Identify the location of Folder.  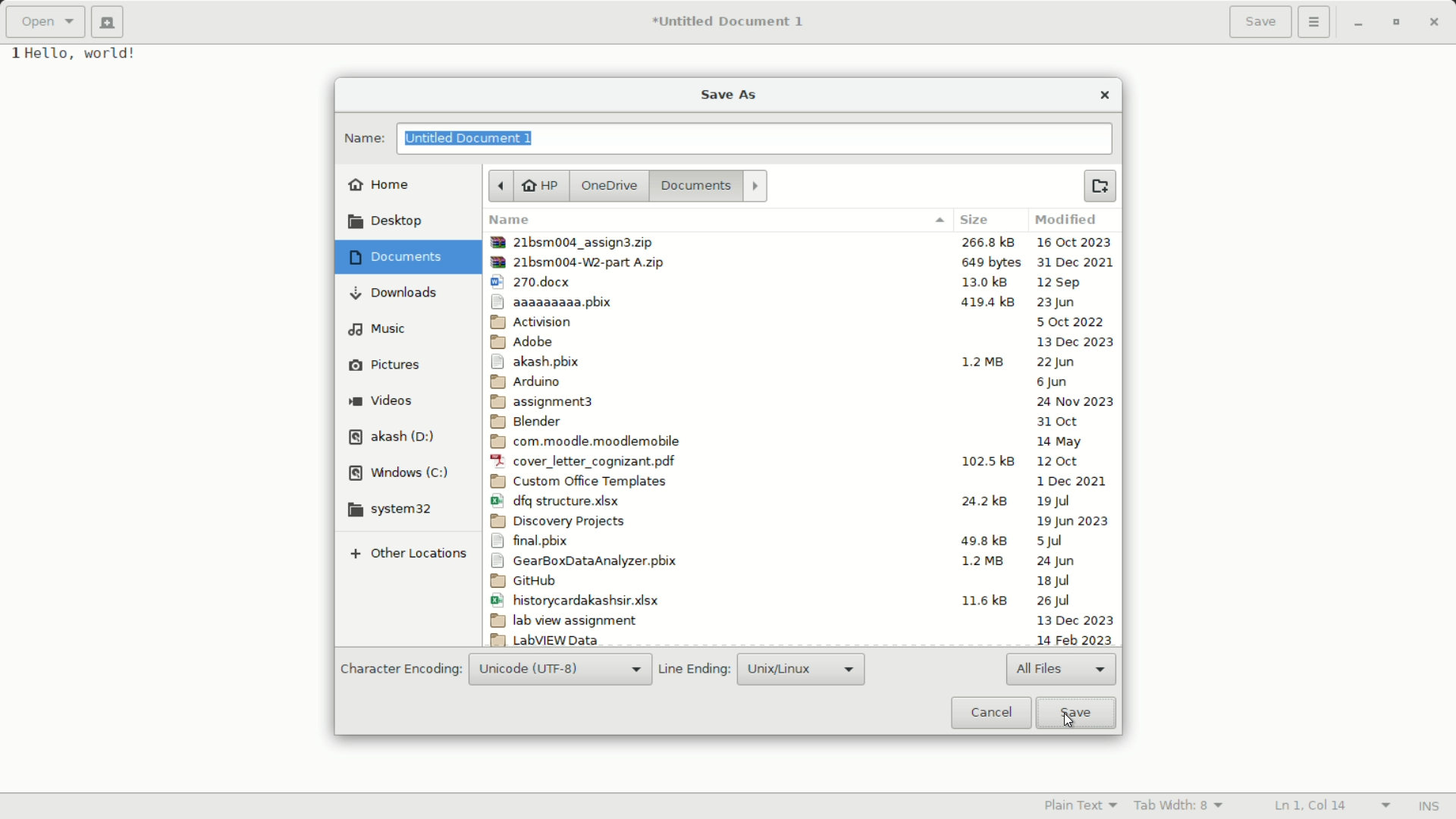
(802, 342).